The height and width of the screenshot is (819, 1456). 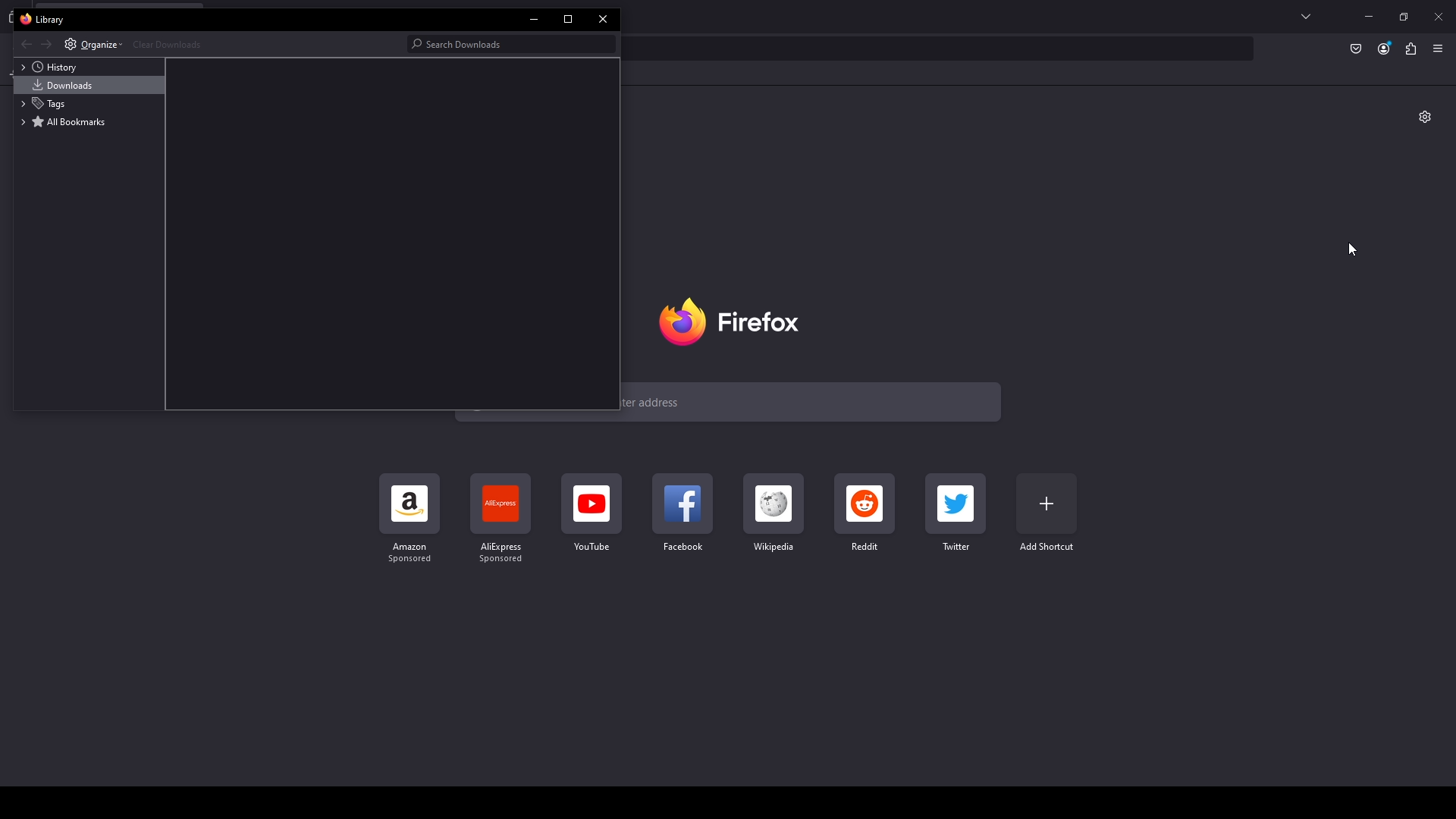 I want to click on Organize, so click(x=93, y=43).